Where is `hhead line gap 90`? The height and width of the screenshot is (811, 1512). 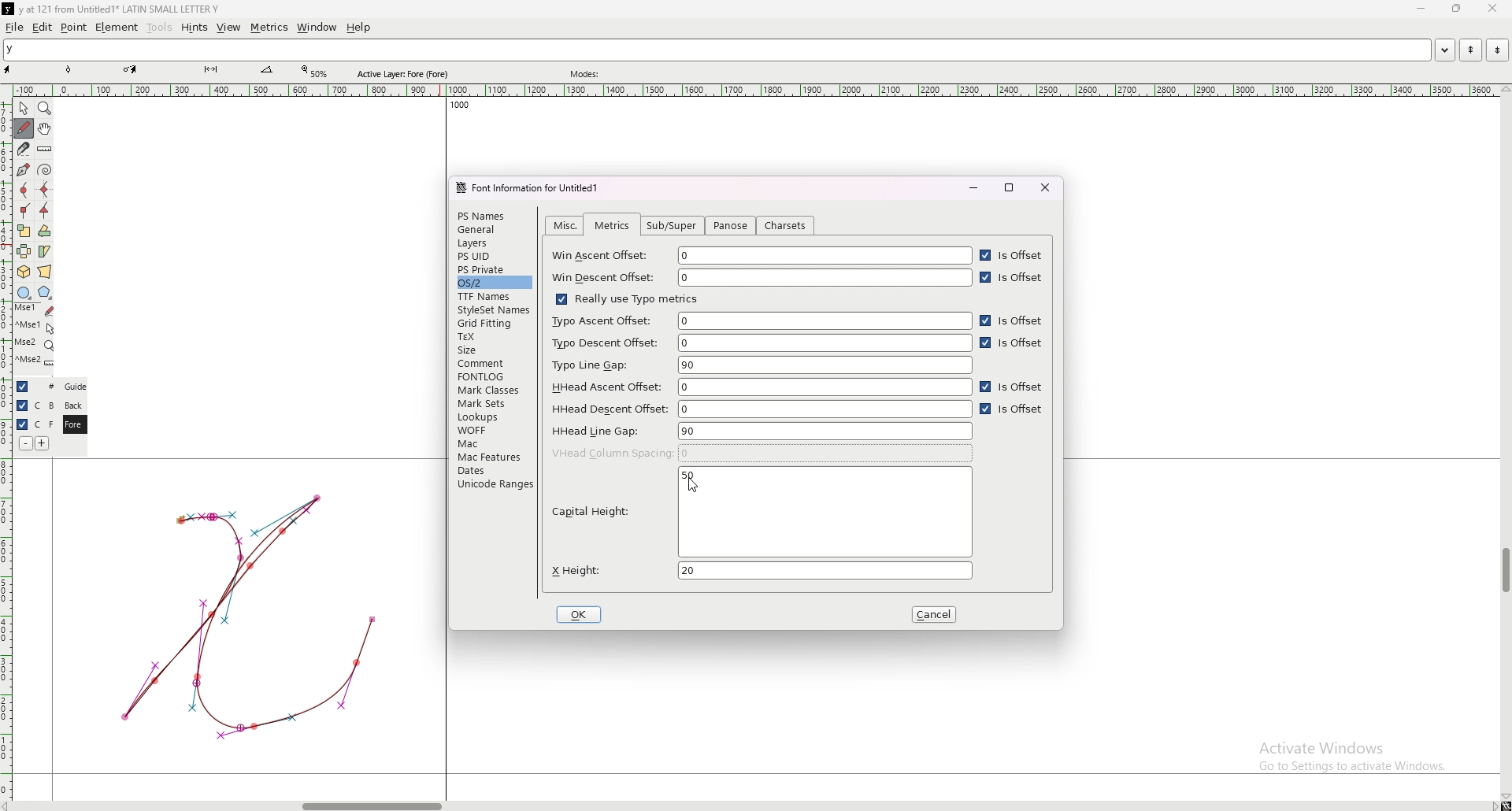 hhead line gap 90 is located at coordinates (761, 431).